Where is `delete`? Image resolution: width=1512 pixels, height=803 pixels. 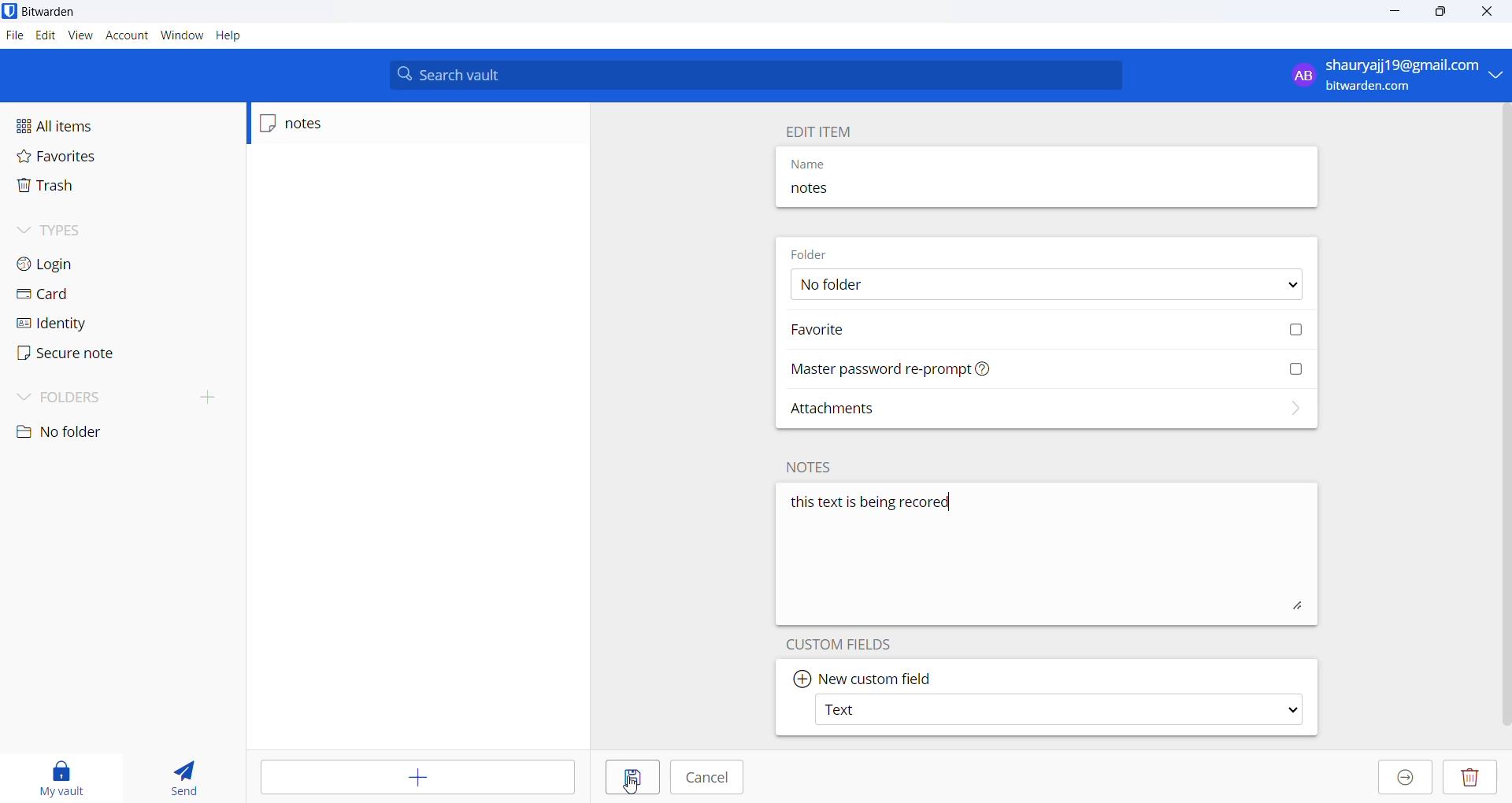
delete is located at coordinates (1472, 779).